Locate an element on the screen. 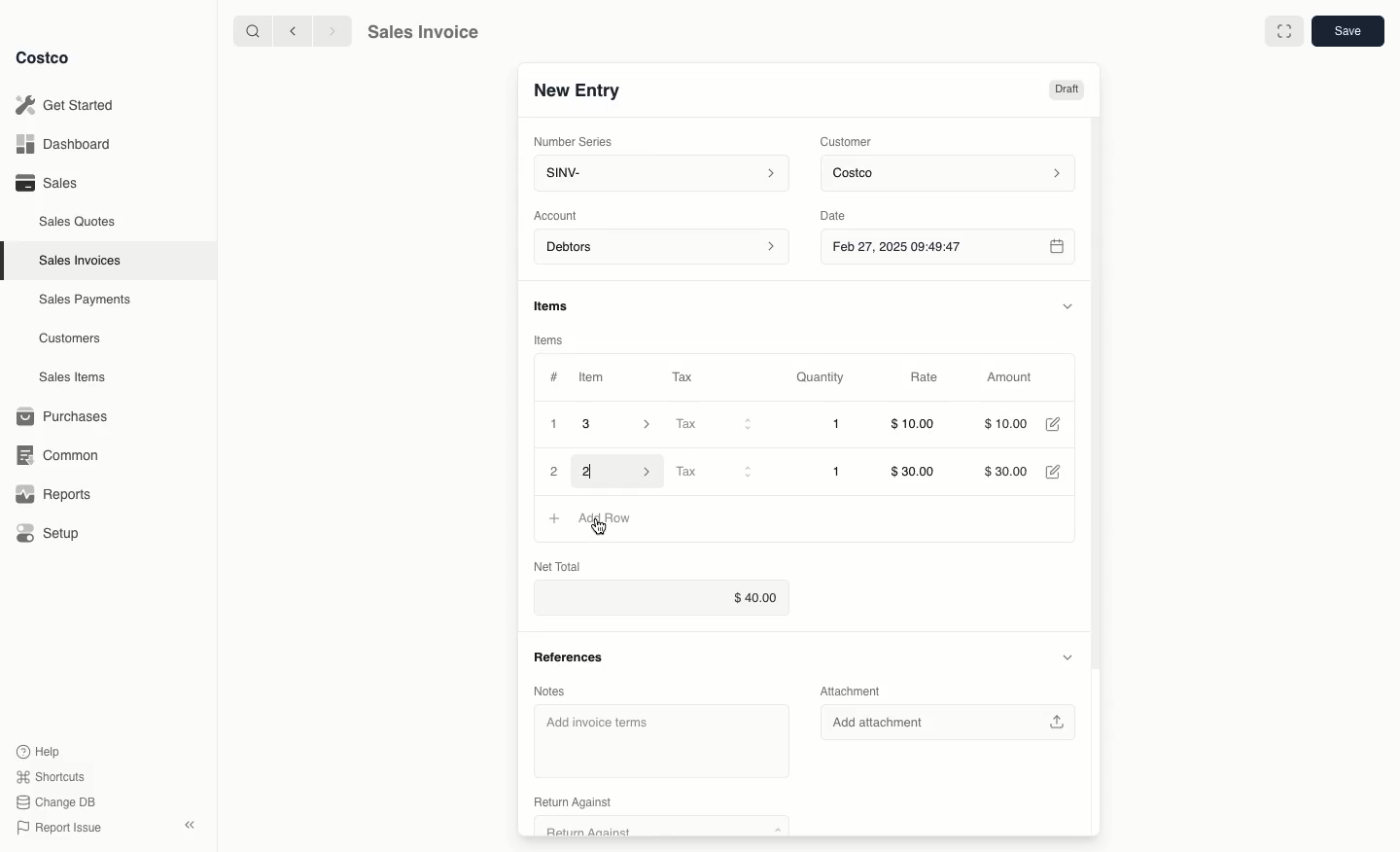 This screenshot has width=1400, height=852. ‘Account is located at coordinates (559, 214).